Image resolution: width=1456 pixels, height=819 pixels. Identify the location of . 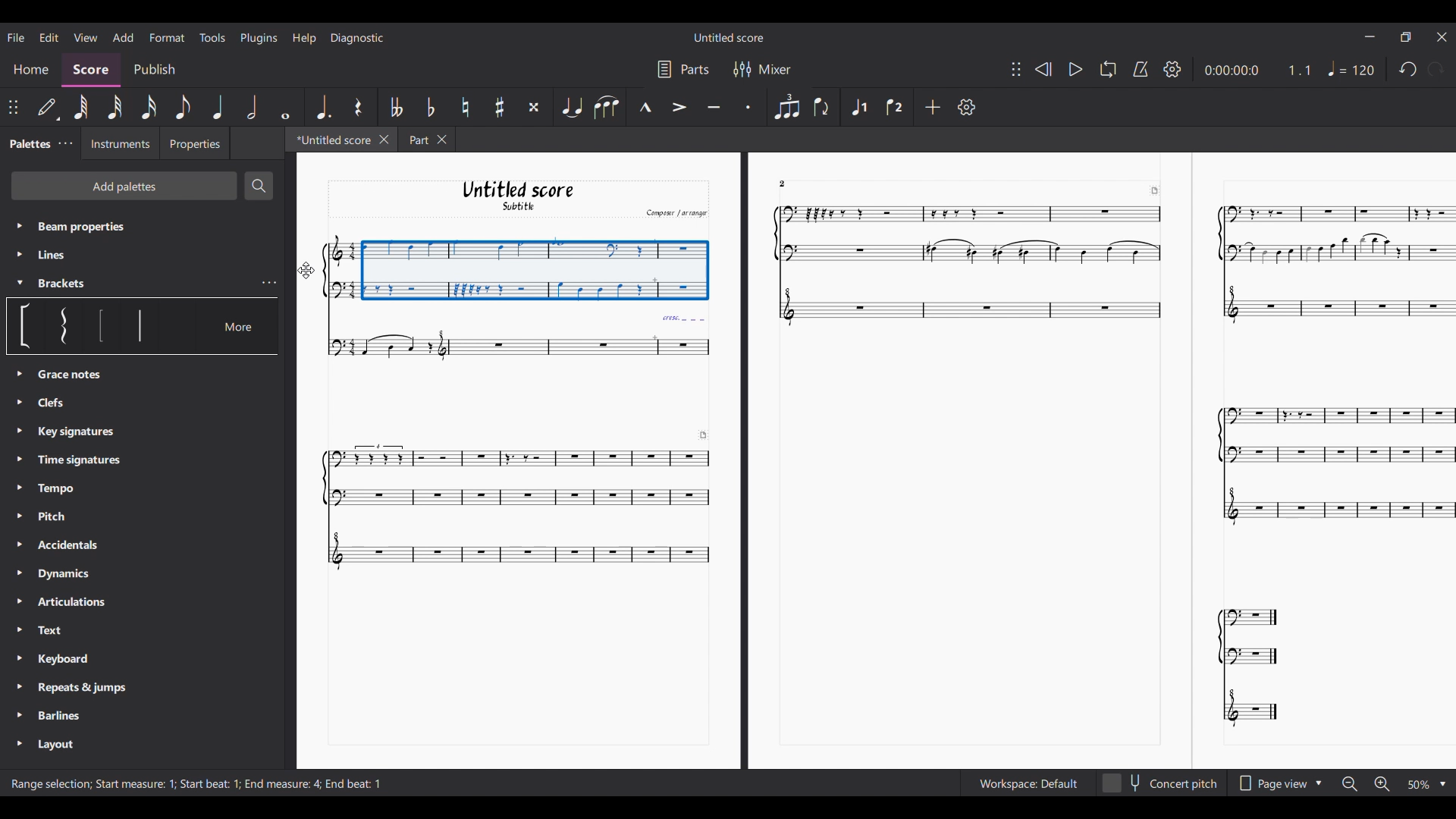
(16, 600).